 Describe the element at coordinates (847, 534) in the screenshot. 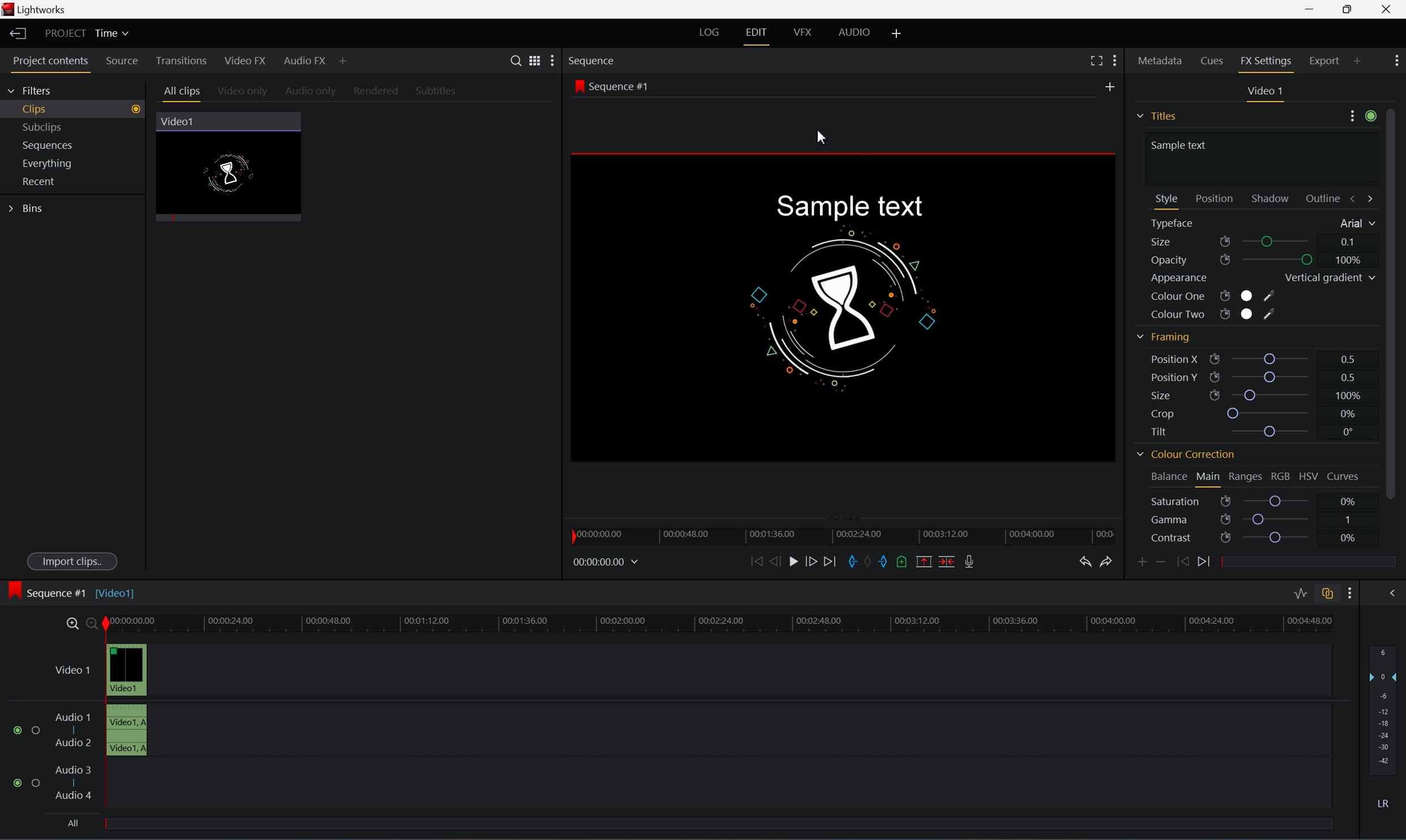

I see `Timeline Navigator` at that location.